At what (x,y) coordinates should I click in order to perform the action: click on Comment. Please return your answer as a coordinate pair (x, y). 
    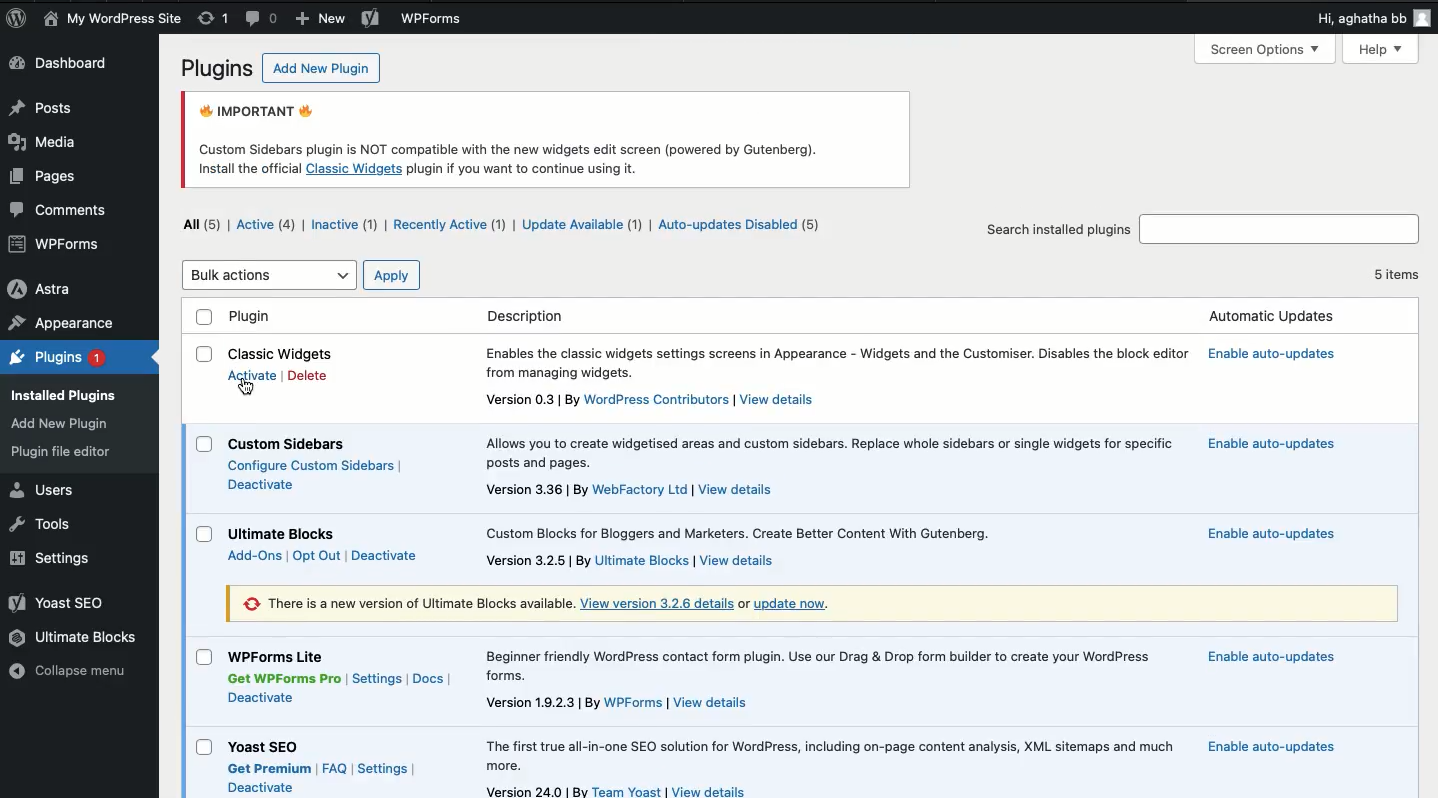
    Looking at the image, I should click on (64, 209).